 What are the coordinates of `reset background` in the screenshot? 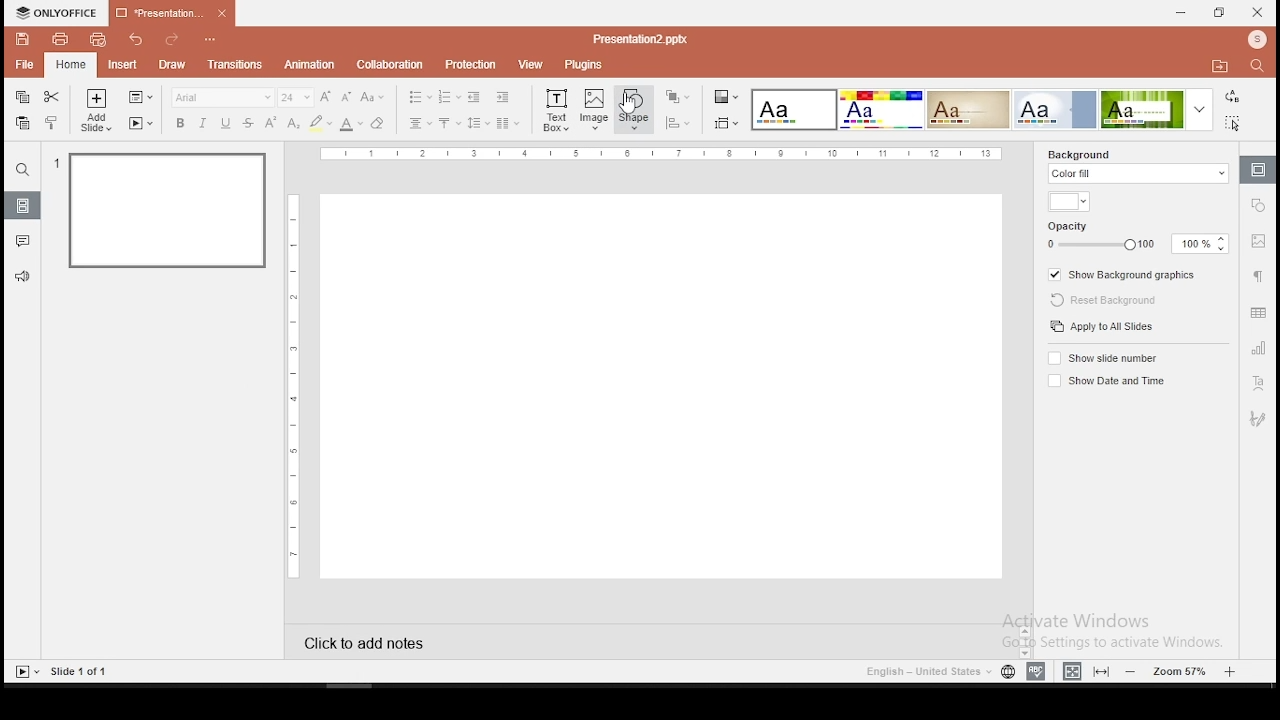 It's located at (1098, 297).